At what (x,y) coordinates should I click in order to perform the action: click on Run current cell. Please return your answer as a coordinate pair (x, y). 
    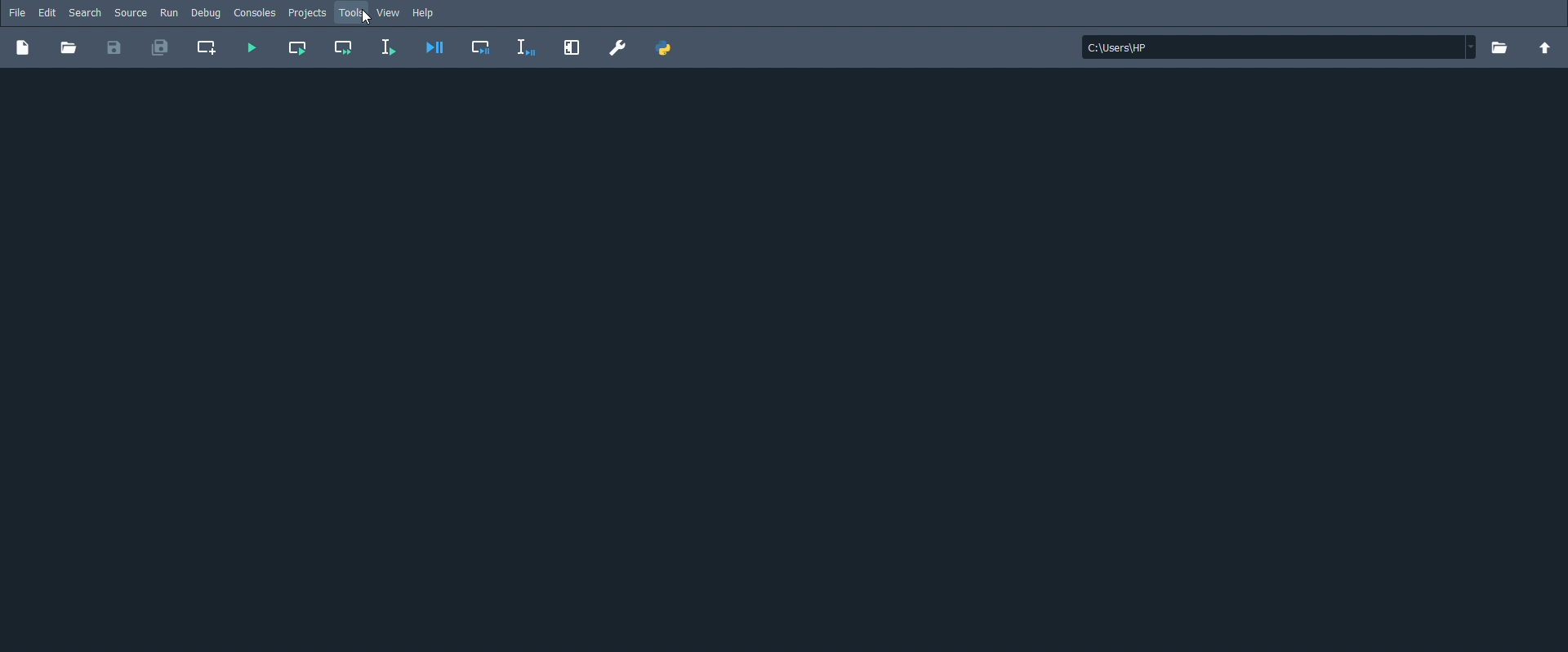
    Looking at the image, I should click on (298, 48).